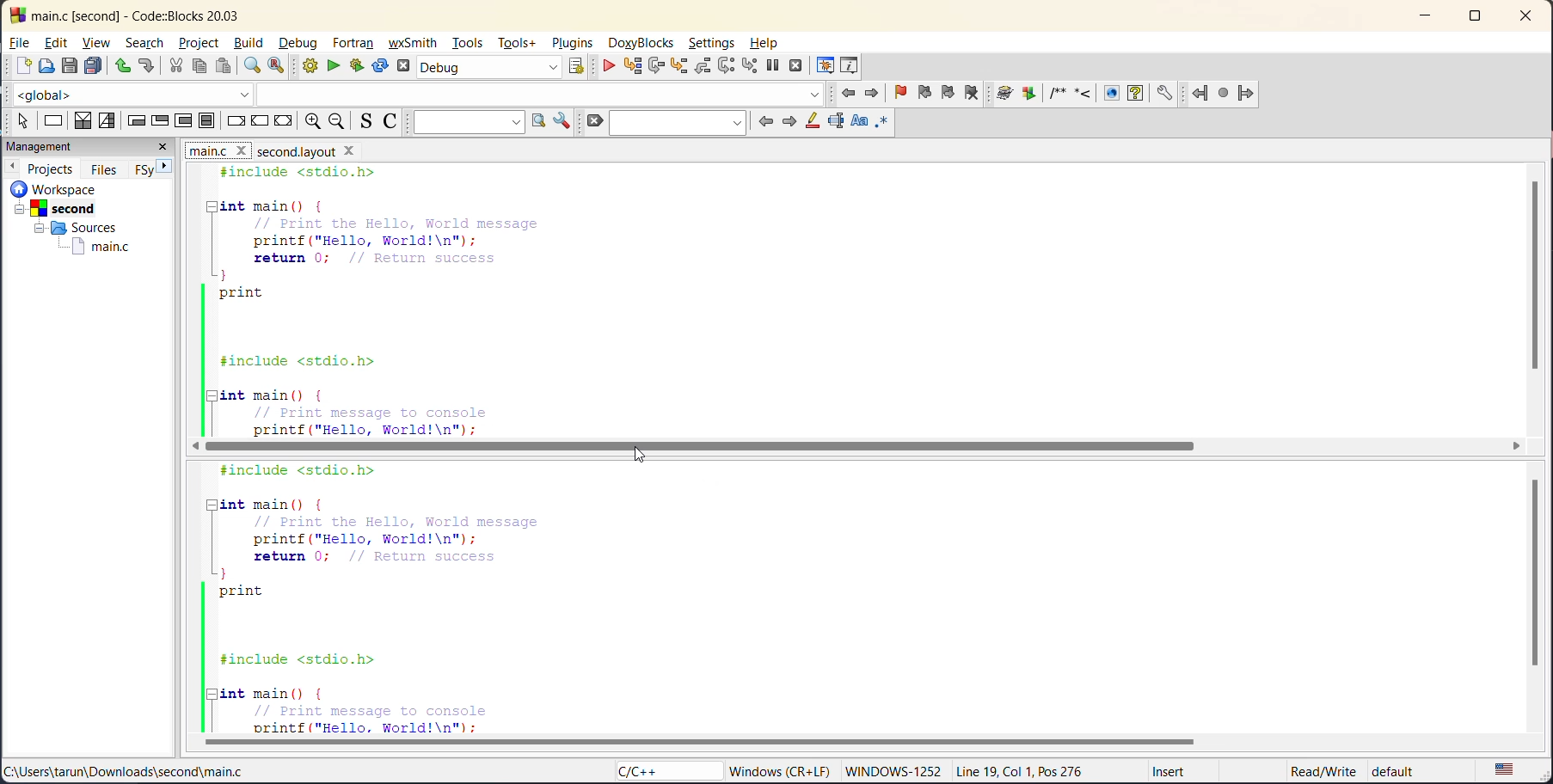 Image resolution: width=1553 pixels, height=784 pixels. Describe the element at coordinates (611, 67) in the screenshot. I see `debug` at that location.